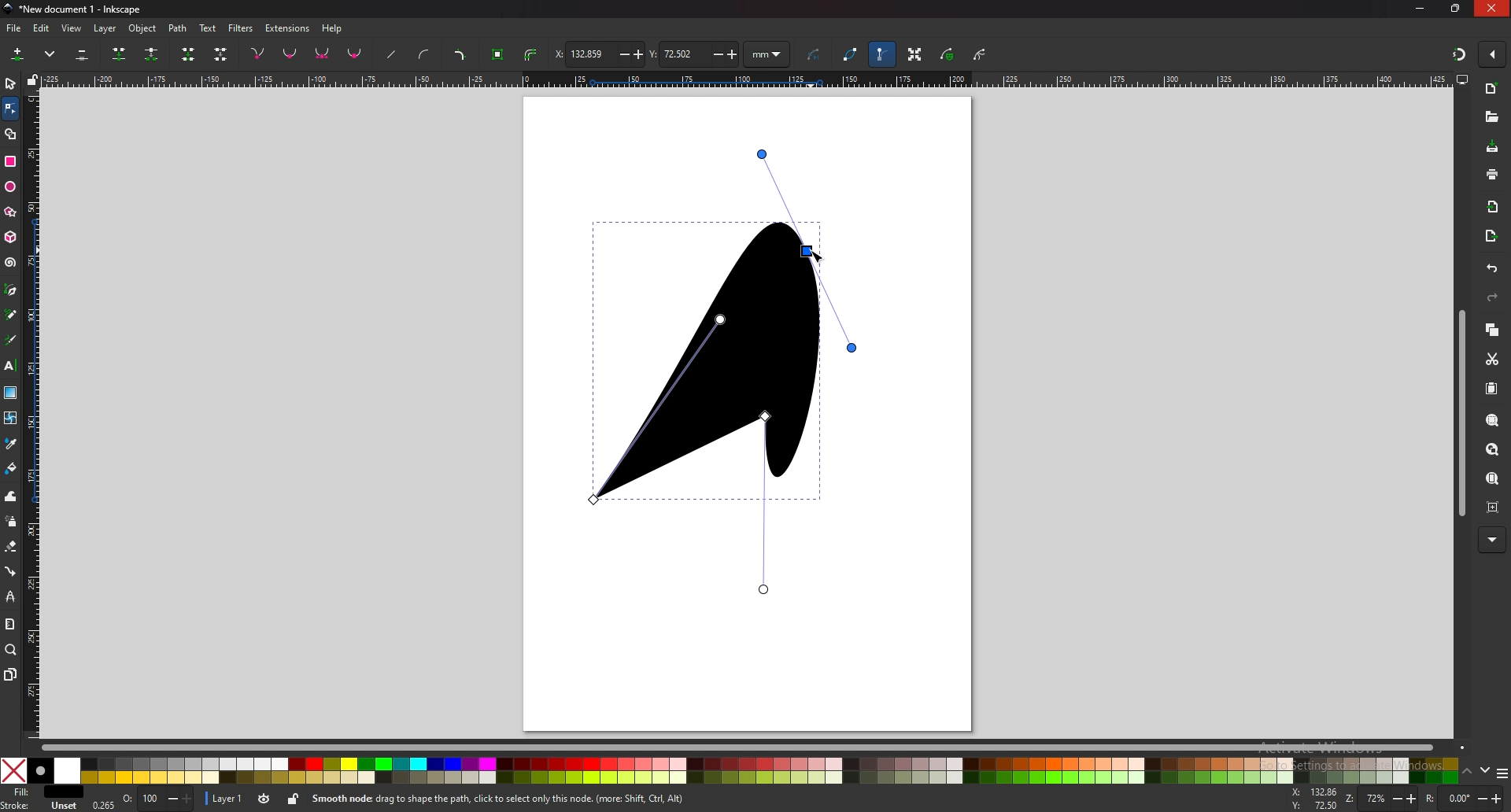 Image resolution: width=1511 pixels, height=812 pixels. I want to click on nodes corner, so click(257, 54).